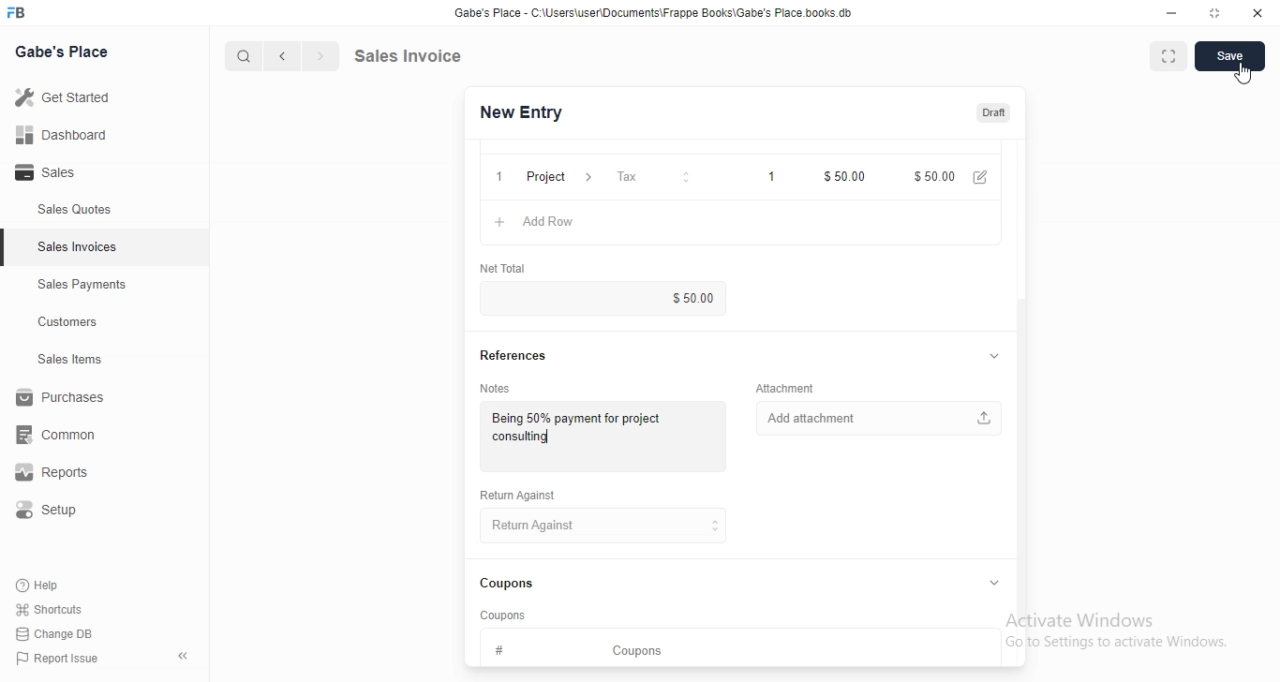 The height and width of the screenshot is (682, 1280). Describe the element at coordinates (601, 425) in the screenshot. I see `Being 50% payment for project consulting` at that location.